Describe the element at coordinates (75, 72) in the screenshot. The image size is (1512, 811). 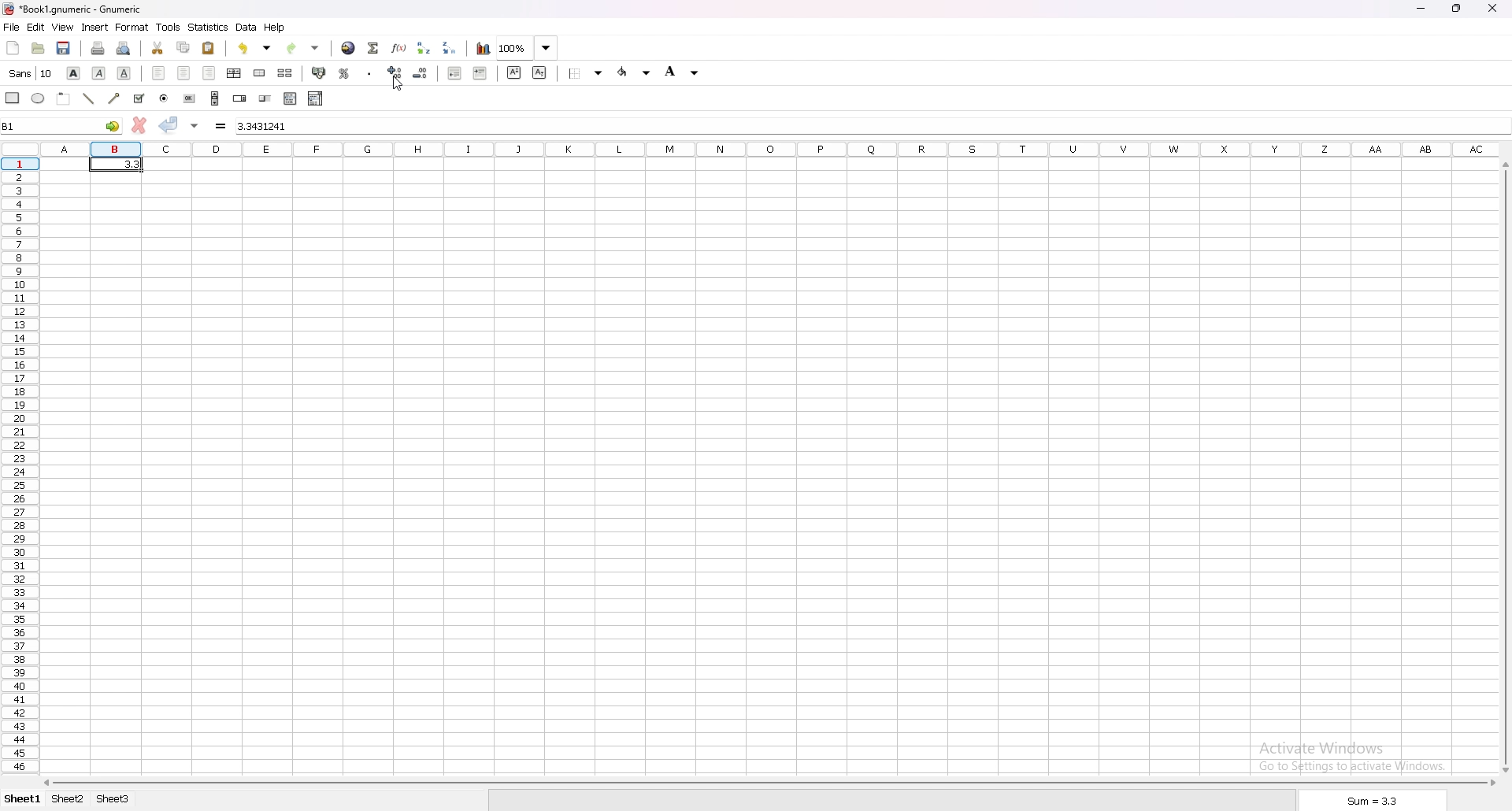
I see `bold` at that location.